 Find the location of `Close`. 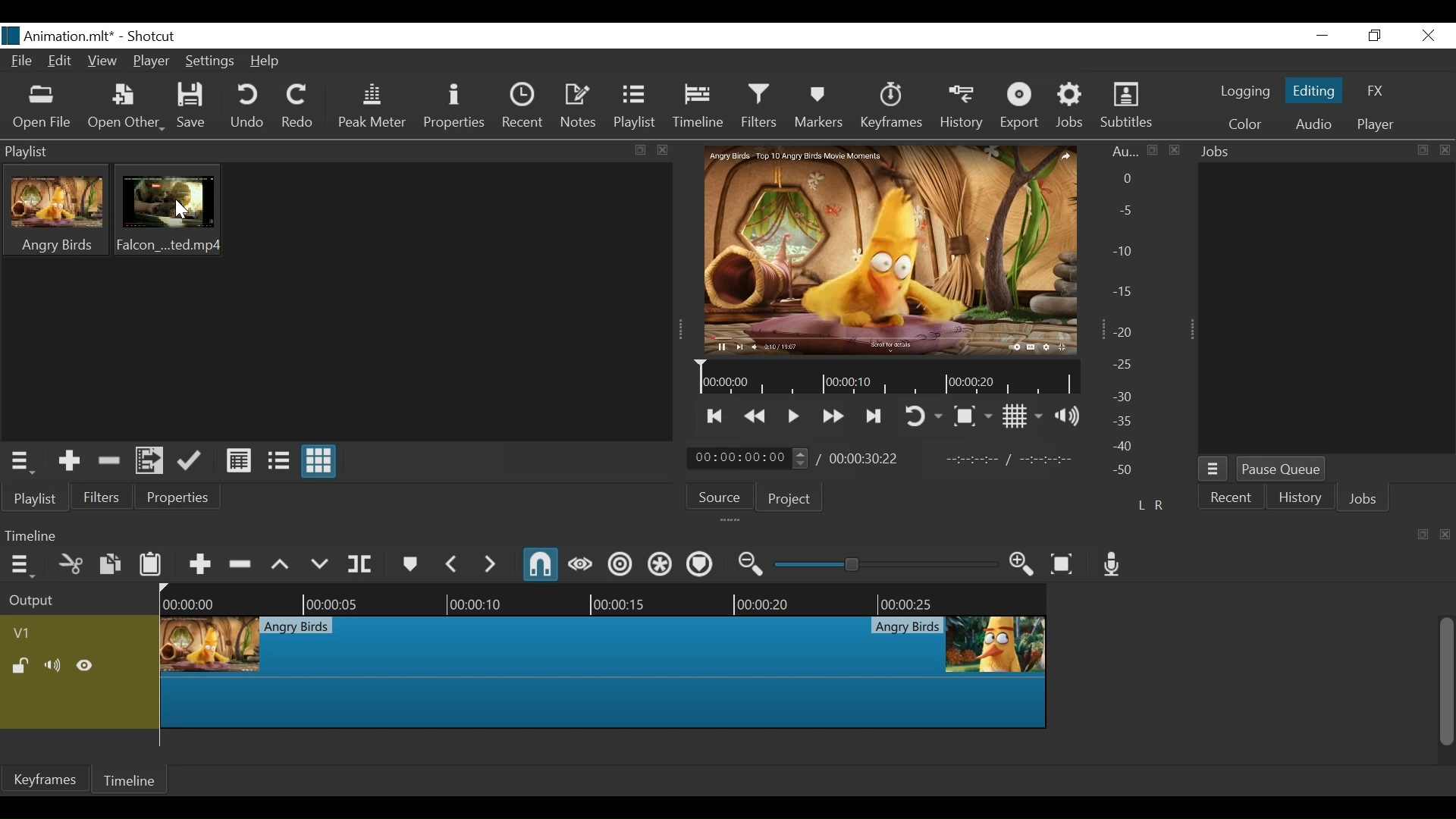

Close is located at coordinates (1429, 36).